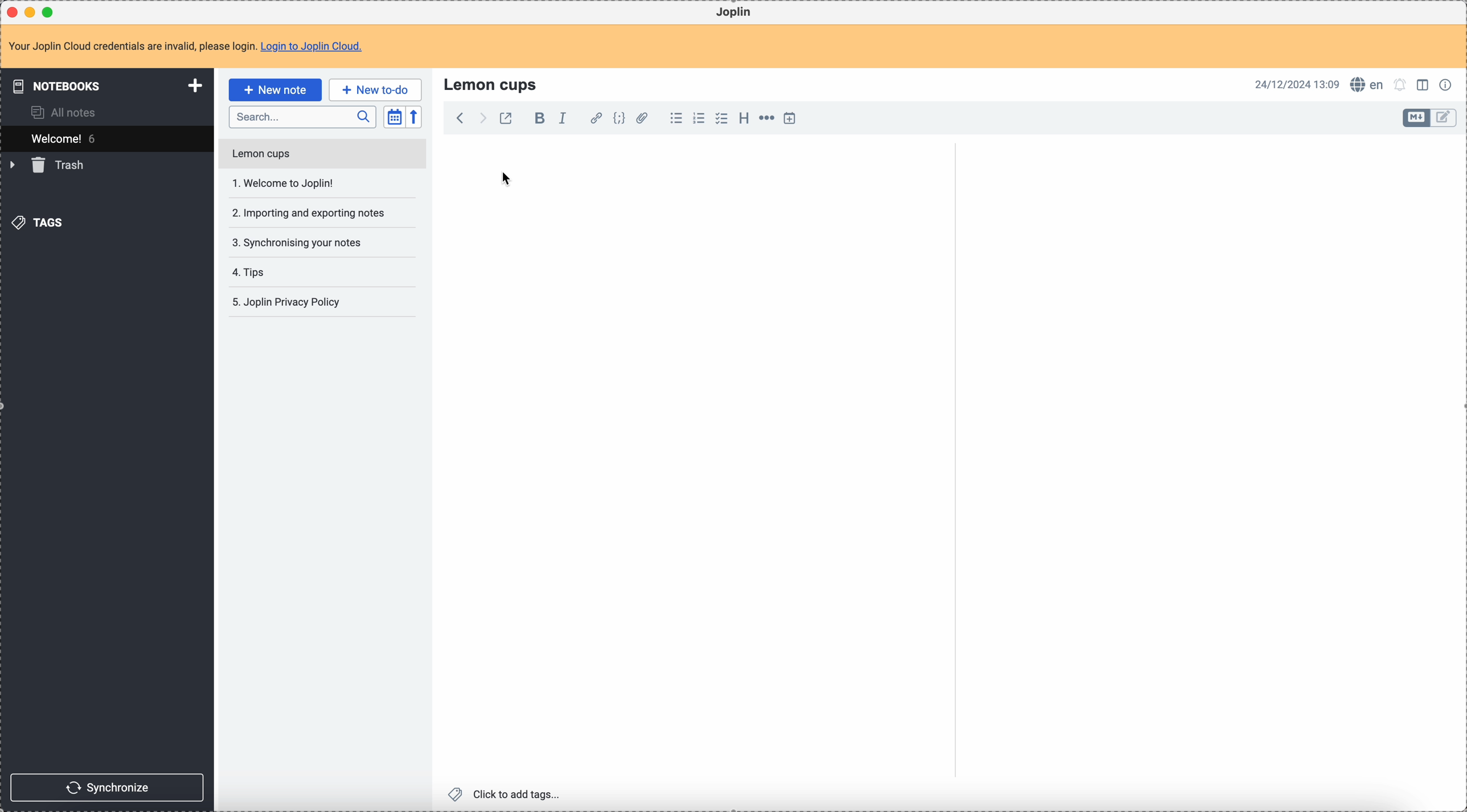 This screenshot has width=1467, height=812. Describe the element at coordinates (508, 179) in the screenshot. I see `cursor` at that location.